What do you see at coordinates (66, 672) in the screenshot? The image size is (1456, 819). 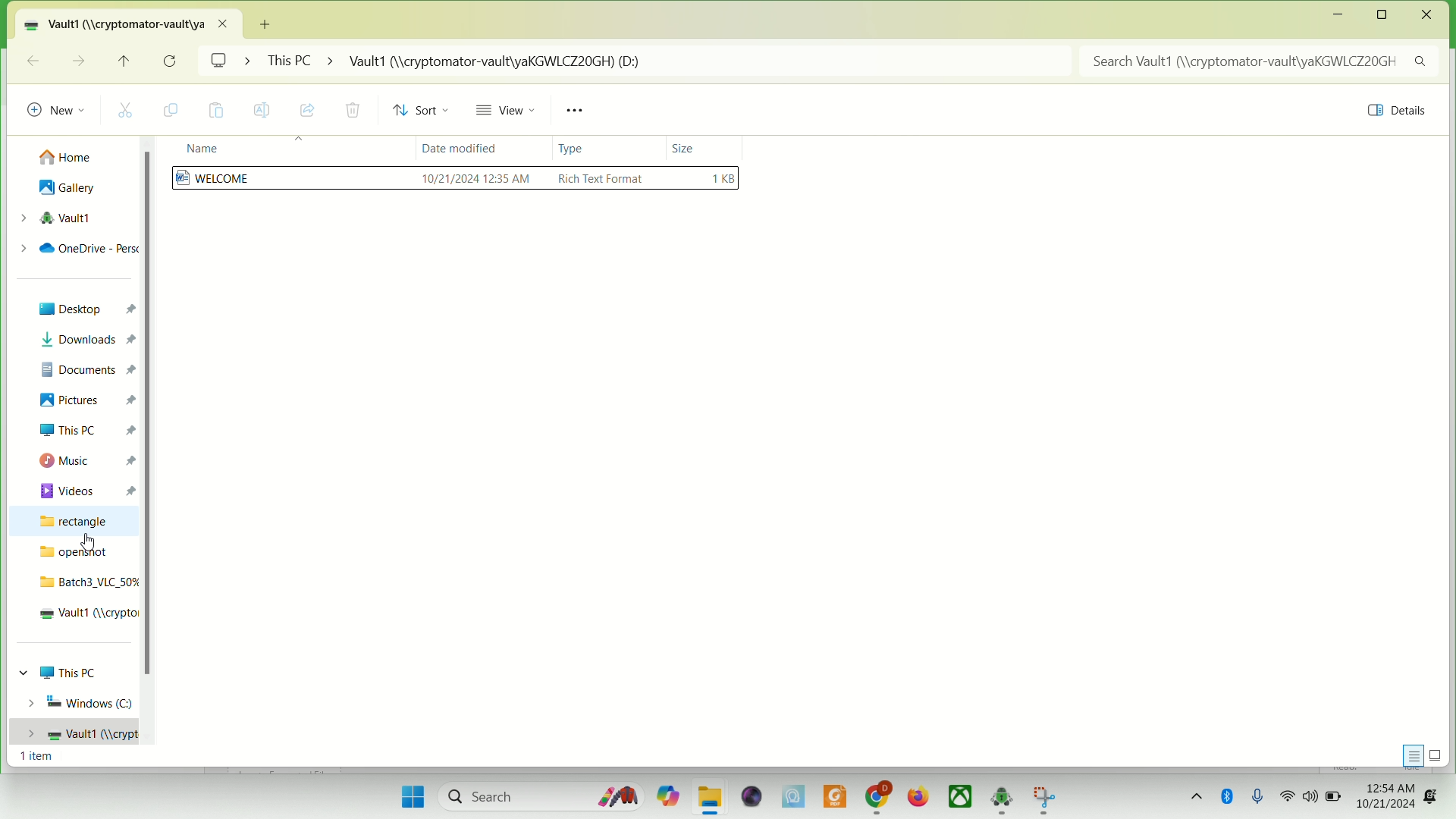 I see `This PC` at bounding box center [66, 672].